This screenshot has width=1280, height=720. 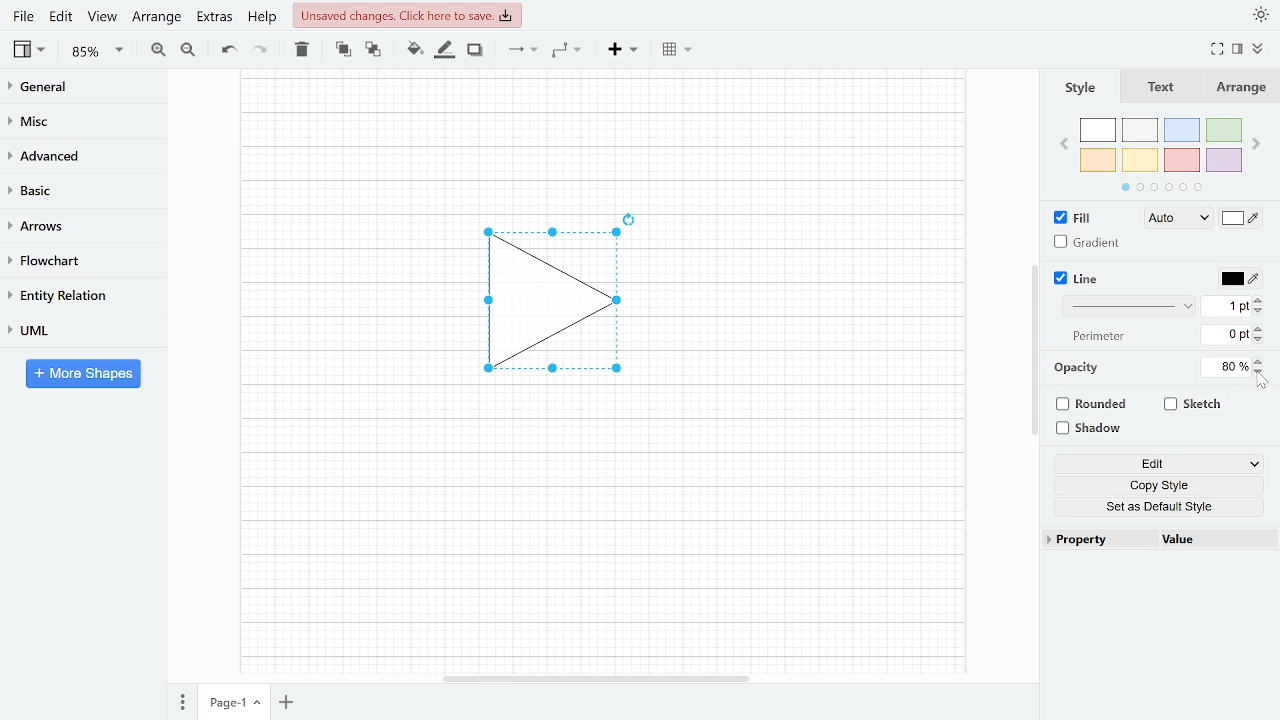 I want to click on UML, so click(x=74, y=330).